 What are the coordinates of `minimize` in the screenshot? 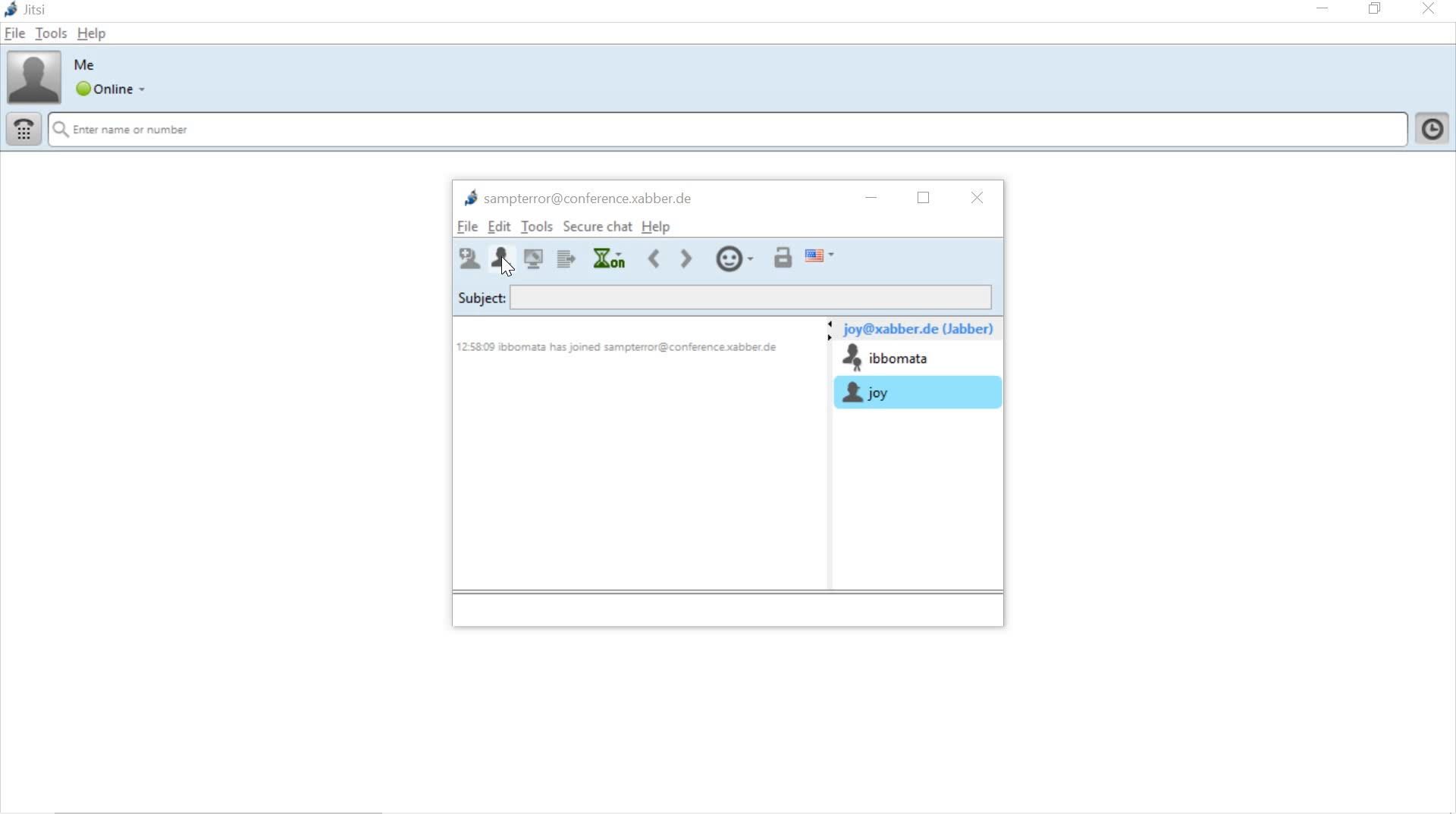 It's located at (872, 196).